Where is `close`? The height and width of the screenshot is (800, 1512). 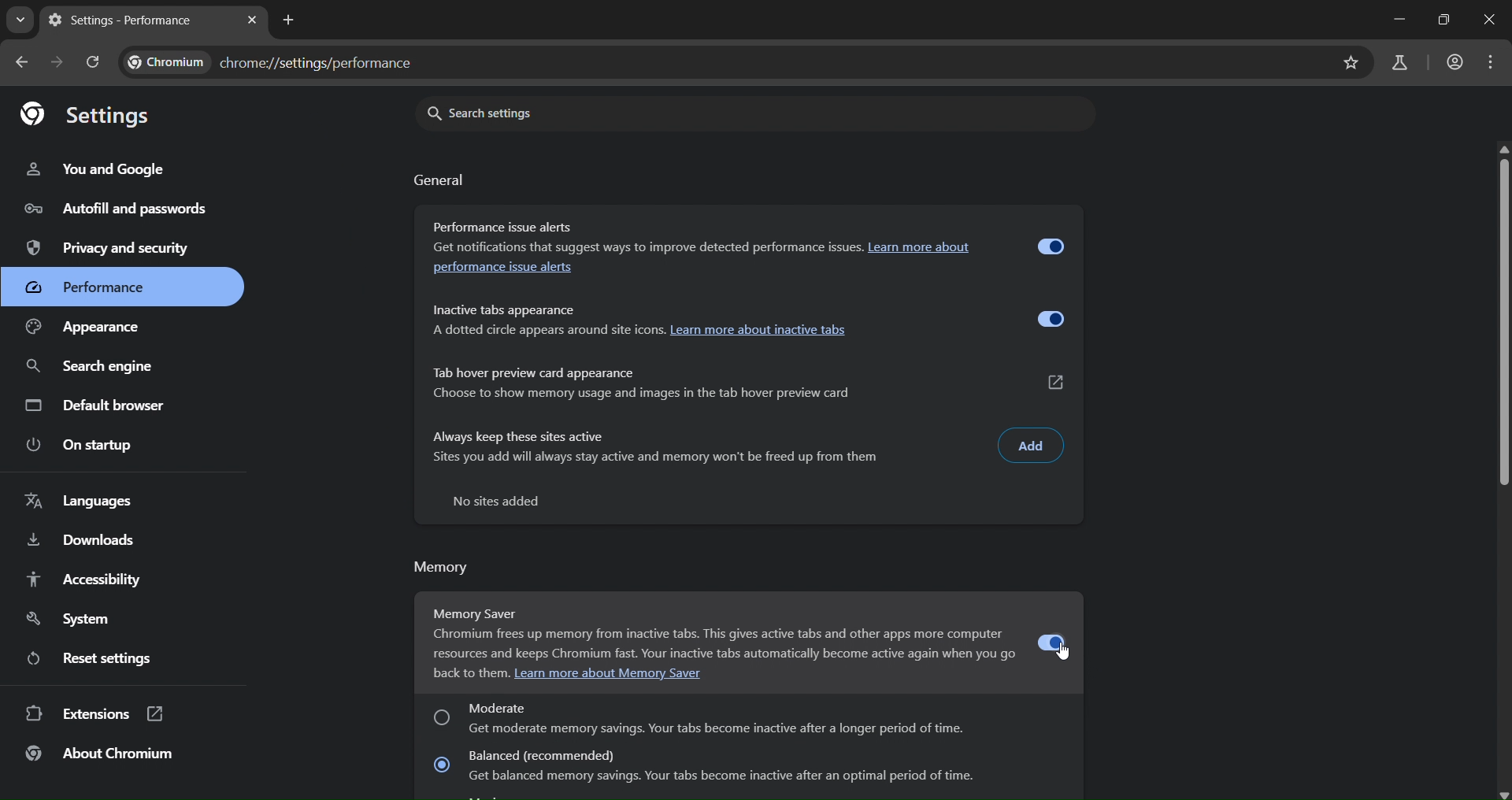 close is located at coordinates (1494, 22).